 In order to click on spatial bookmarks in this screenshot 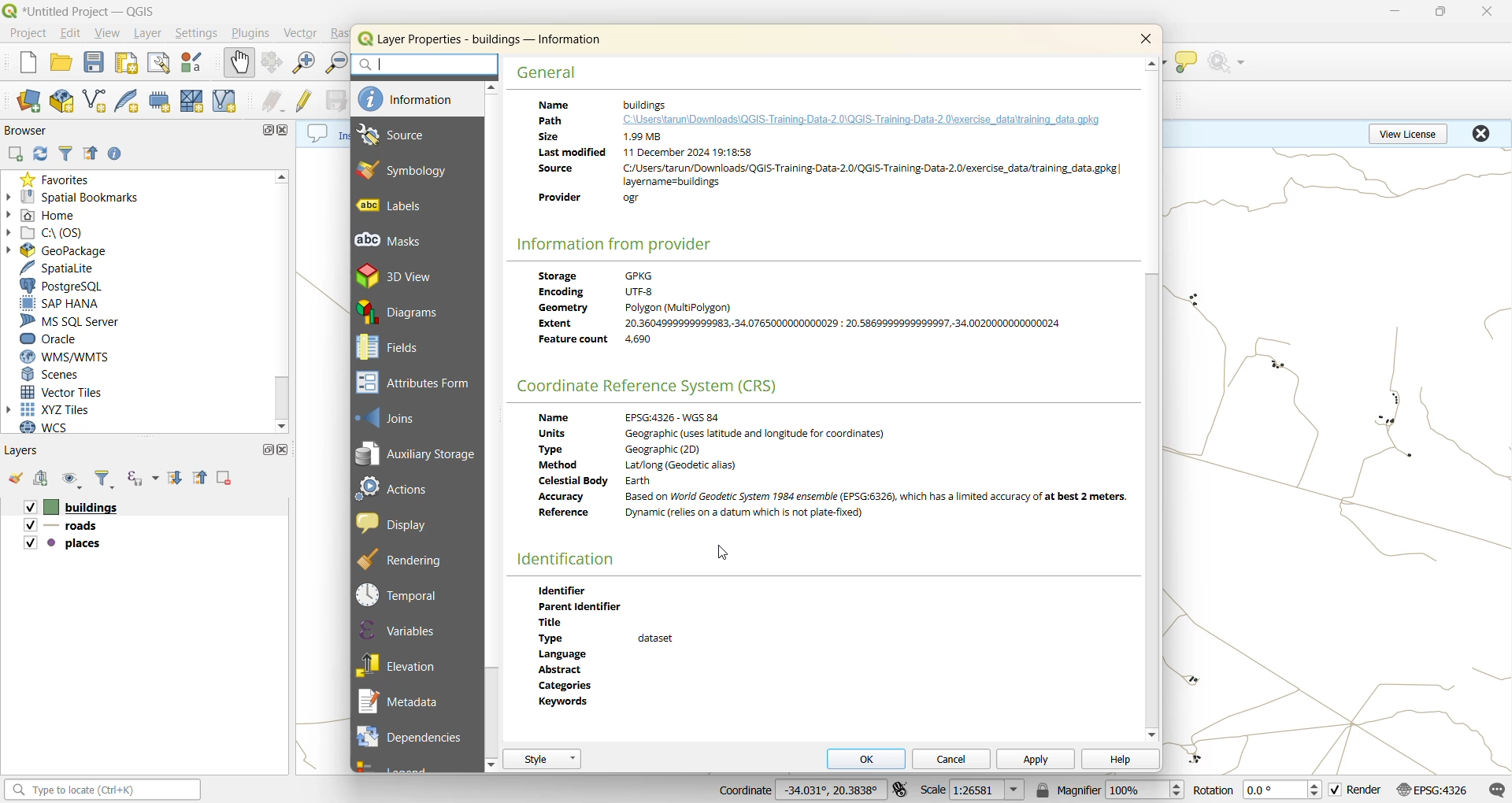, I will do `click(88, 196)`.